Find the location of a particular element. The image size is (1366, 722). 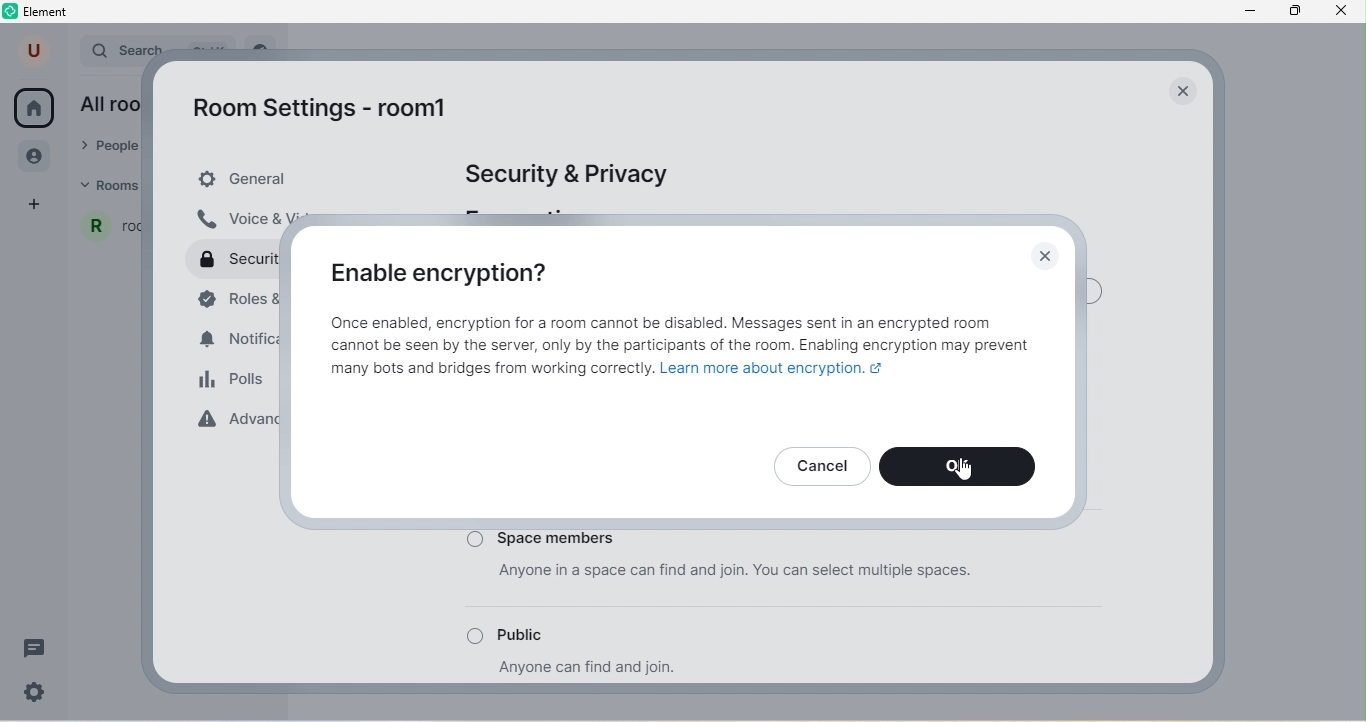

cancel is located at coordinates (823, 466).